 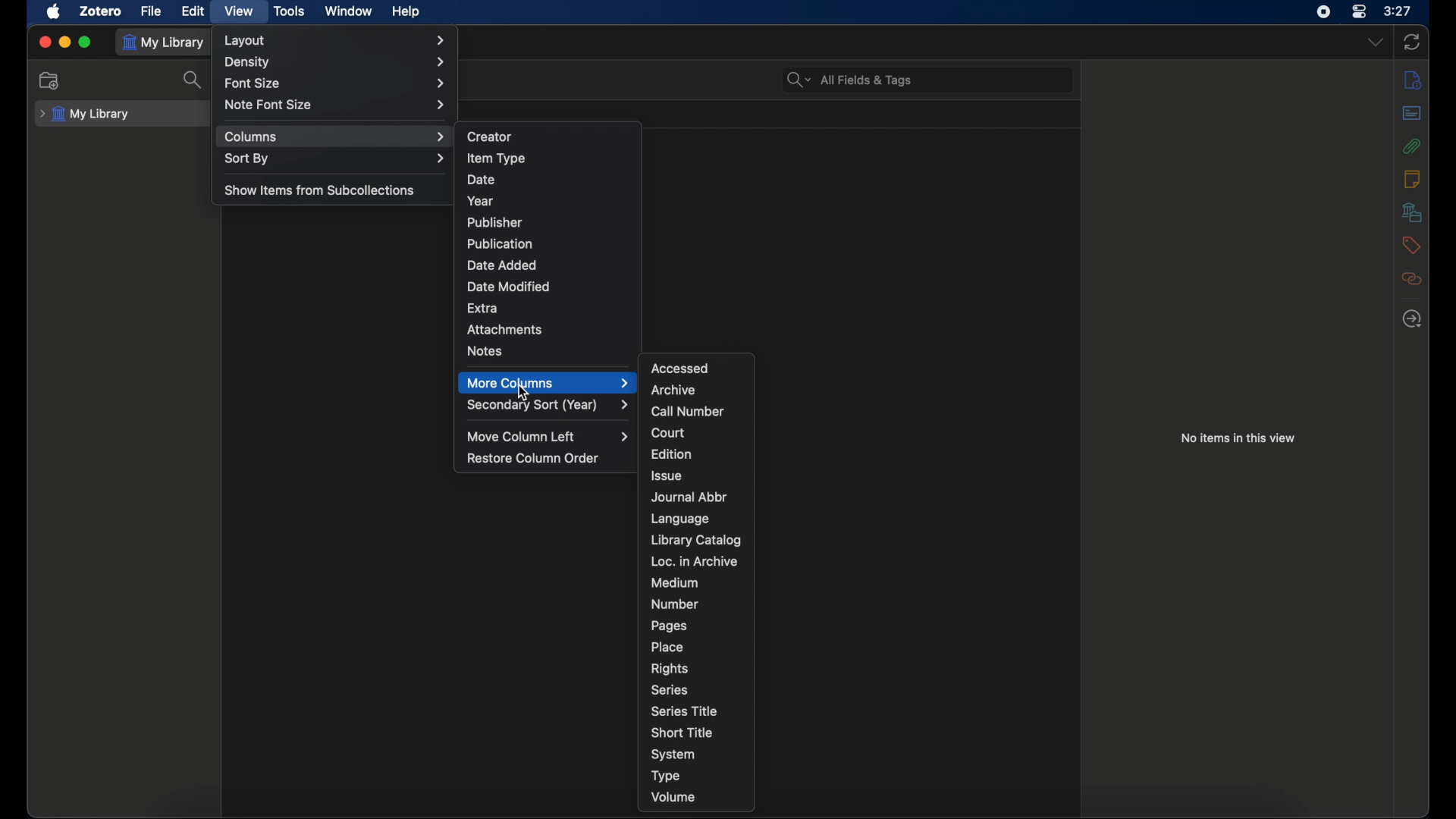 What do you see at coordinates (684, 732) in the screenshot?
I see `short title` at bounding box center [684, 732].